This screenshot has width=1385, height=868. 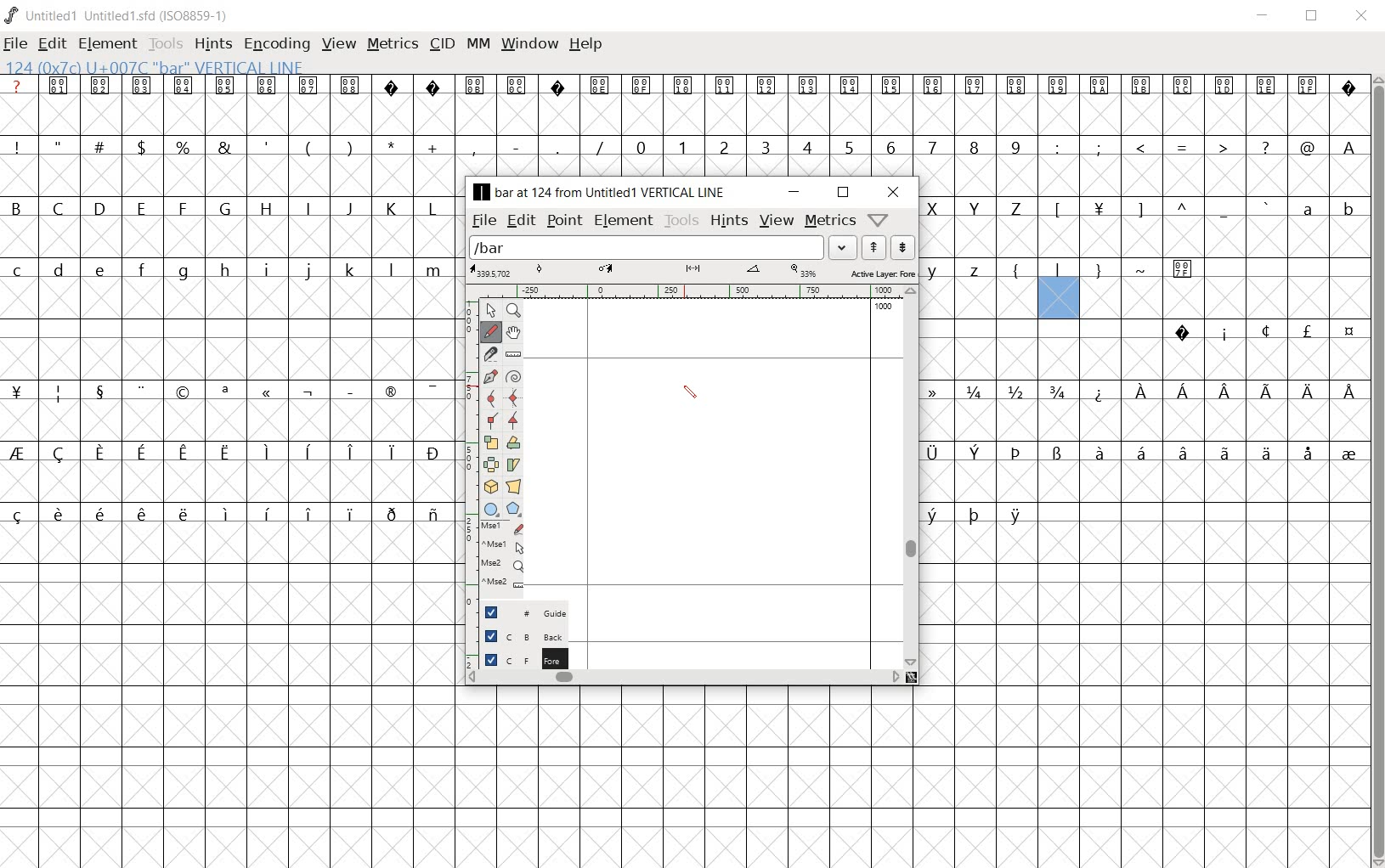 I want to click on show the next word list, so click(x=901, y=248).